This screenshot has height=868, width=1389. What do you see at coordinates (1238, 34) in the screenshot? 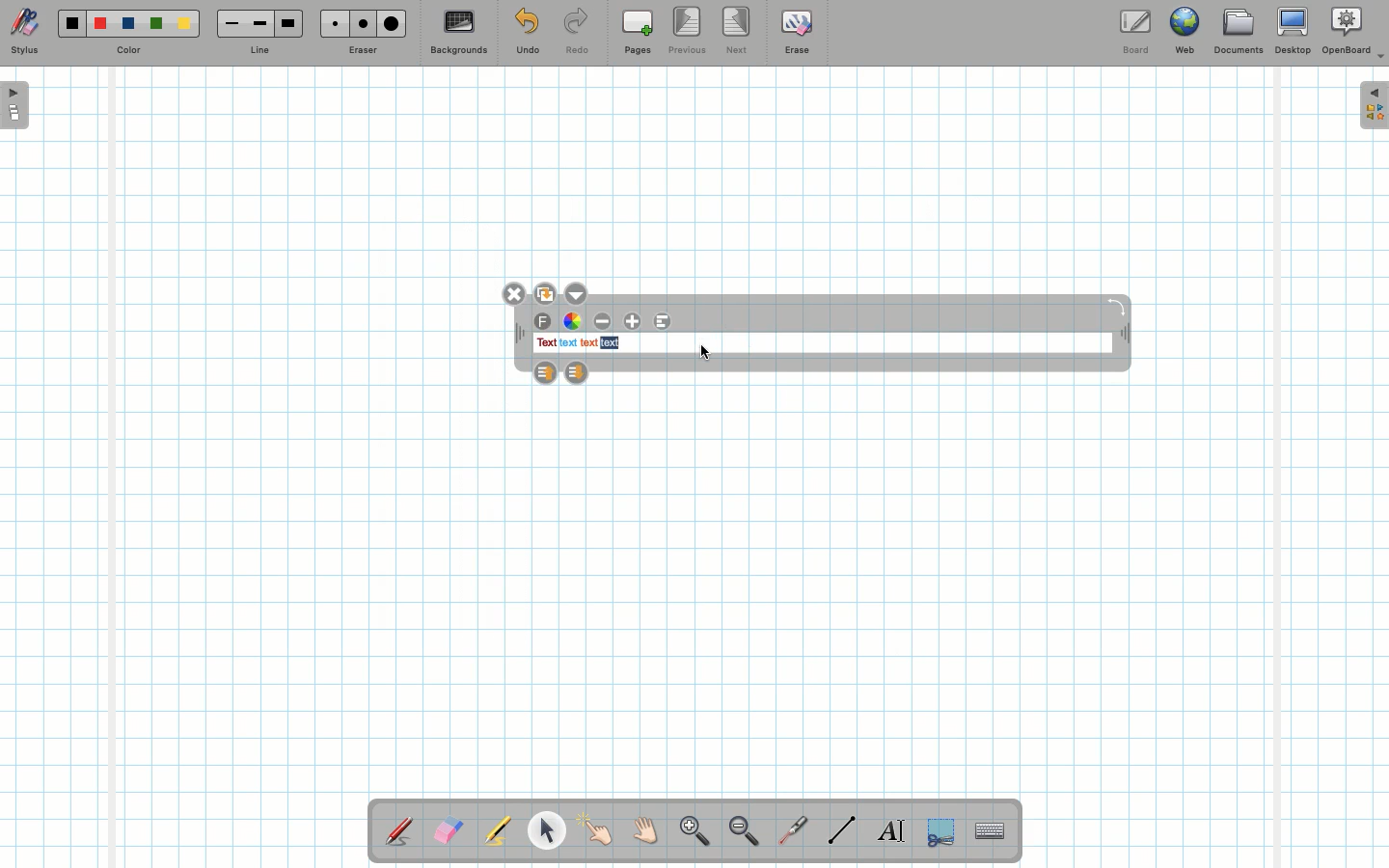
I see `Documents` at bounding box center [1238, 34].